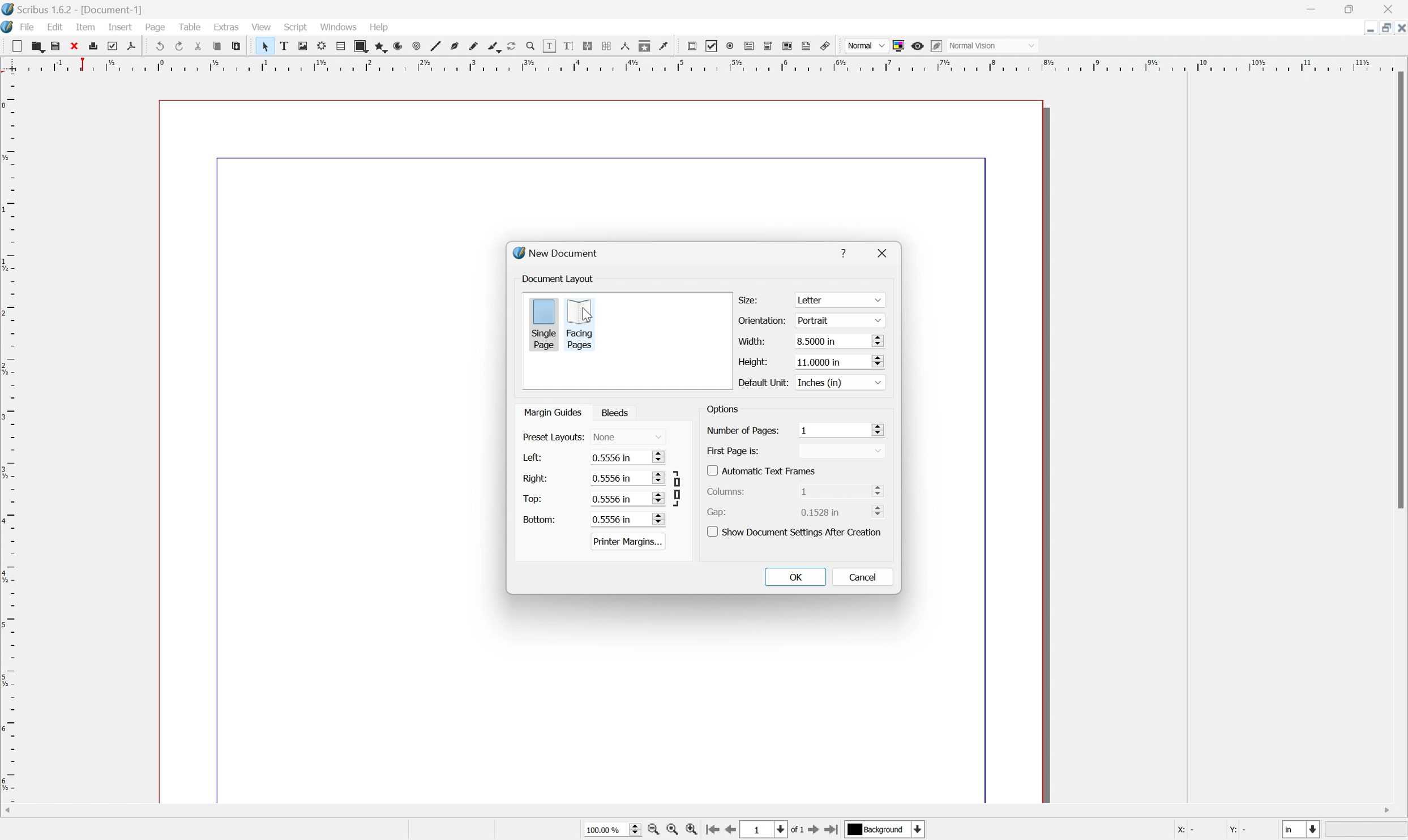 This screenshot has height=840, width=1408. Describe the element at coordinates (797, 531) in the screenshot. I see `Show document settings after creation` at that location.